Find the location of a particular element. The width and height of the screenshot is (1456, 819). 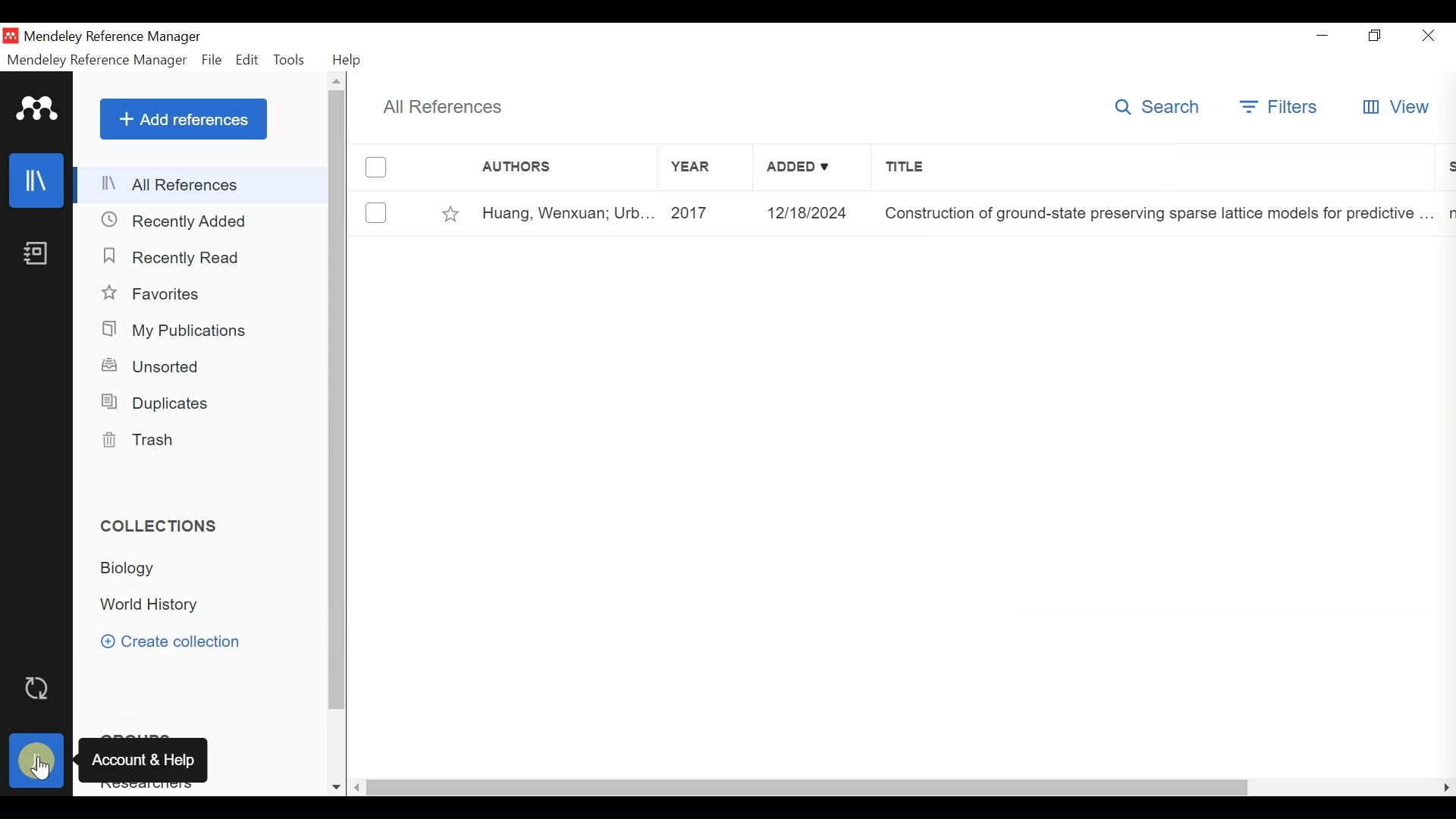

Sync is located at coordinates (38, 689).